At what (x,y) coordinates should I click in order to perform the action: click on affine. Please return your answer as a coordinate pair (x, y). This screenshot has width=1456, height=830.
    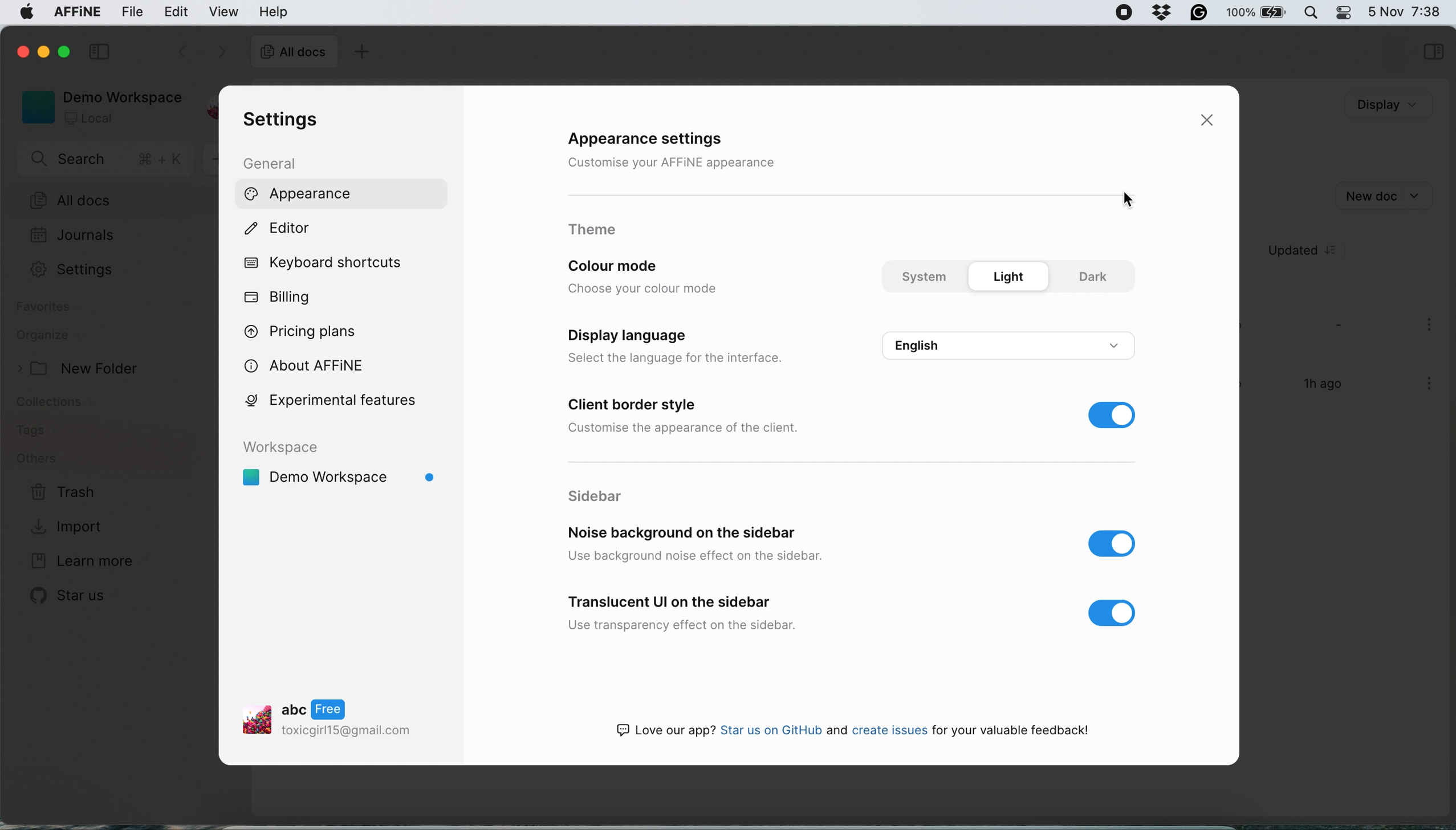
    Looking at the image, I should click on (76, 14).